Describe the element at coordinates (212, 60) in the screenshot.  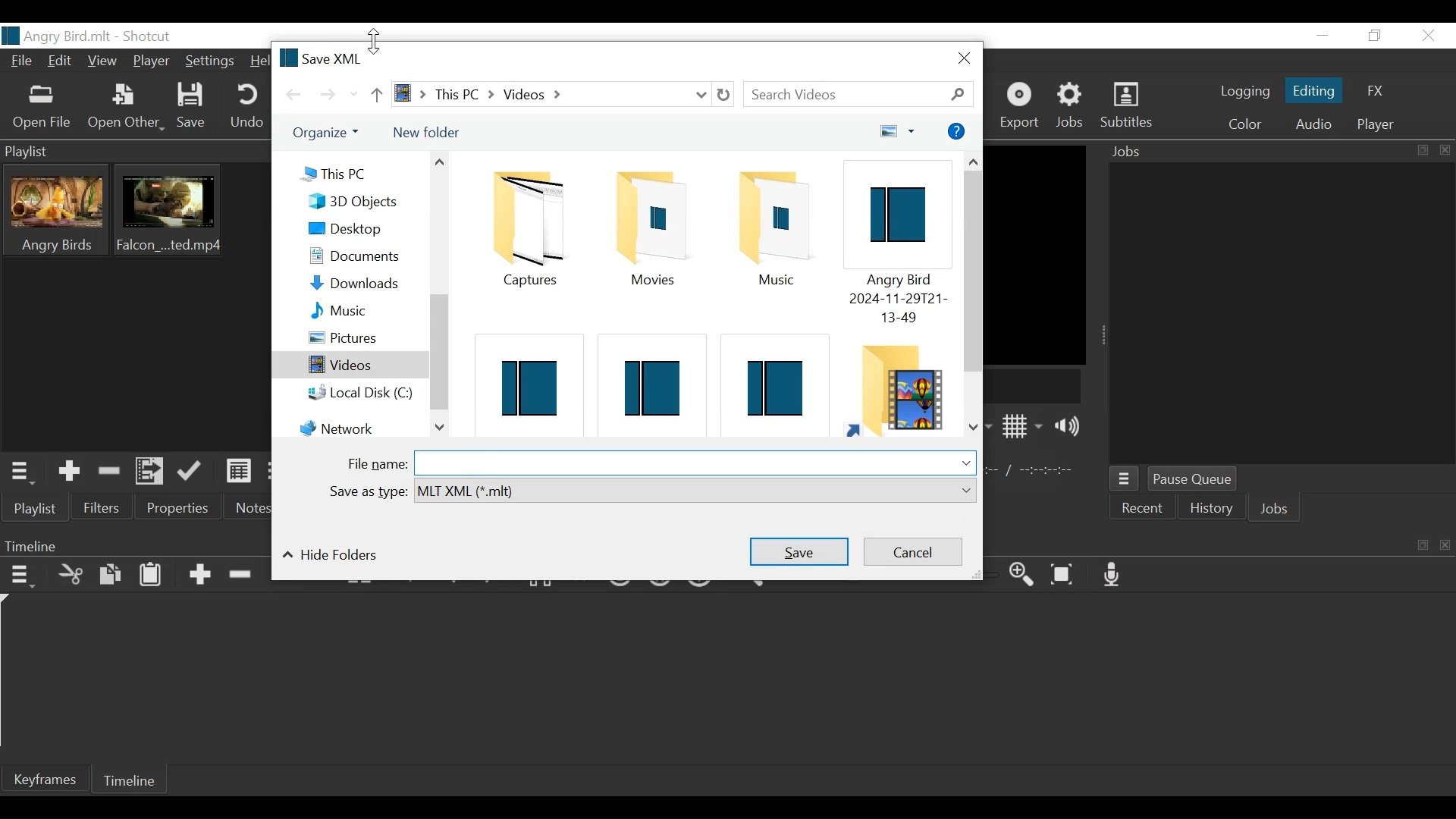
I see `Settings` at that location.